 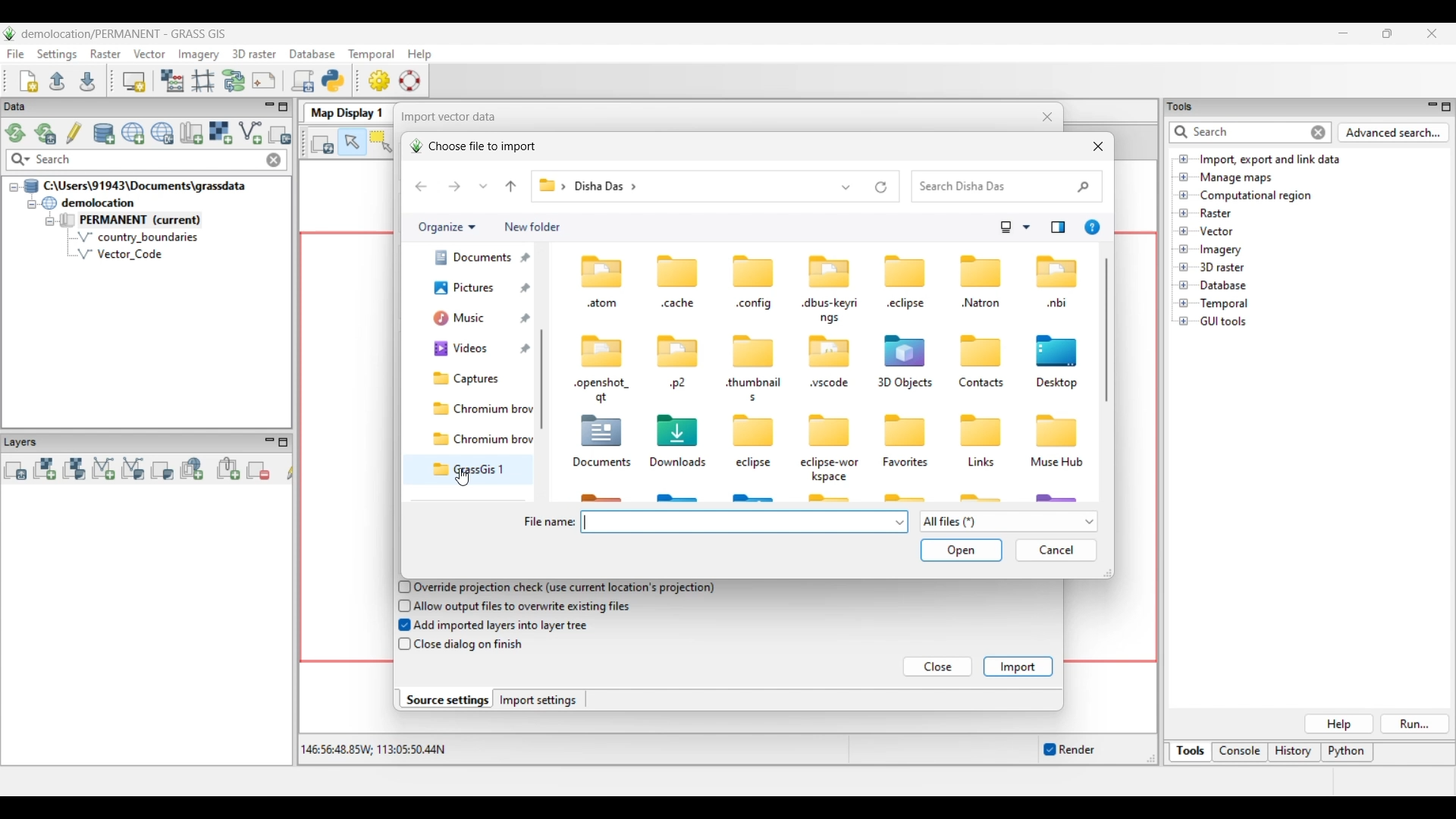 I want to click on Create new map set in current project, so click(x=191, y=133).